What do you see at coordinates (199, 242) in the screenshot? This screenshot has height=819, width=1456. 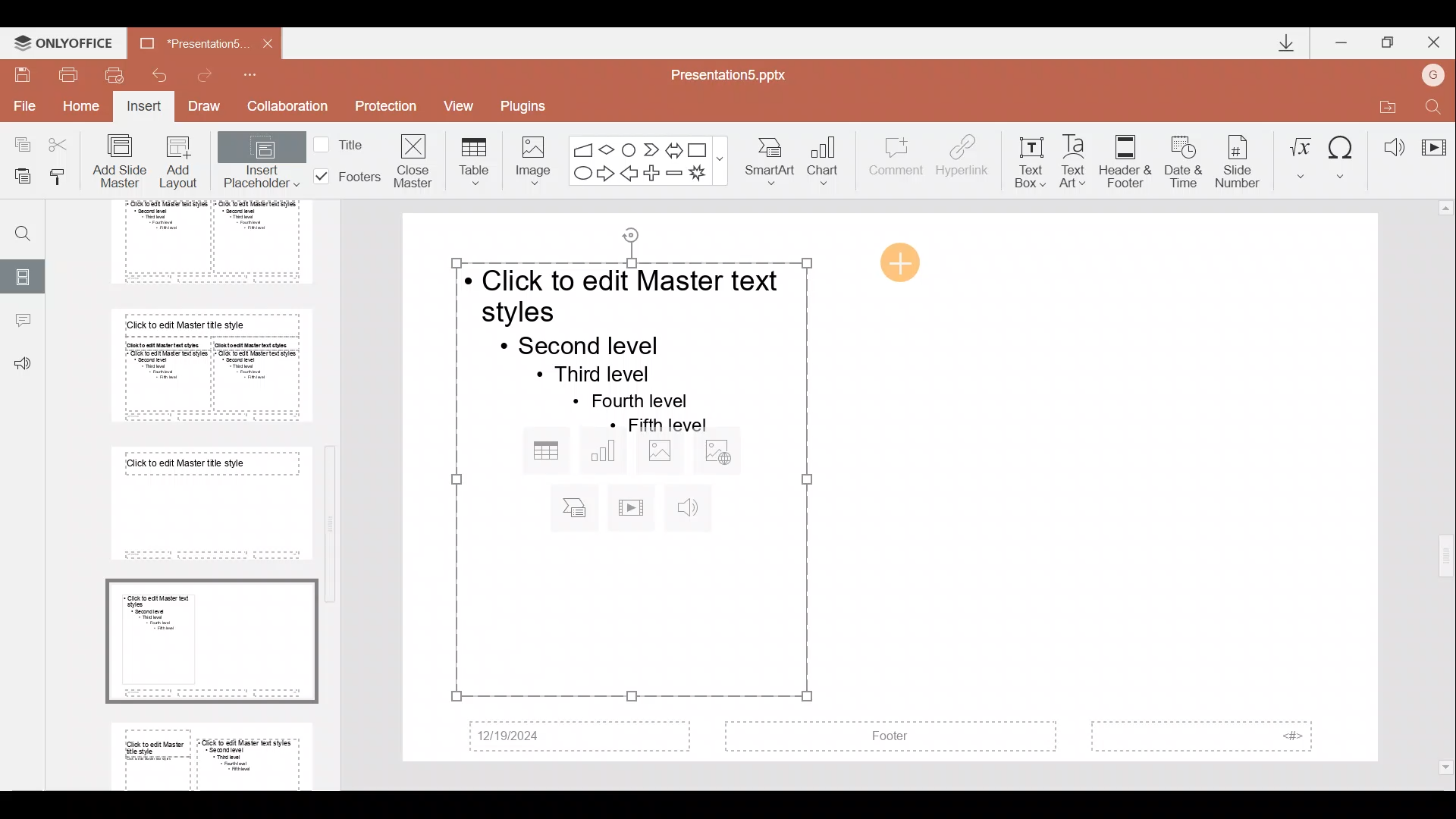 I see `Slide 5` at bounding box center [199, 242].